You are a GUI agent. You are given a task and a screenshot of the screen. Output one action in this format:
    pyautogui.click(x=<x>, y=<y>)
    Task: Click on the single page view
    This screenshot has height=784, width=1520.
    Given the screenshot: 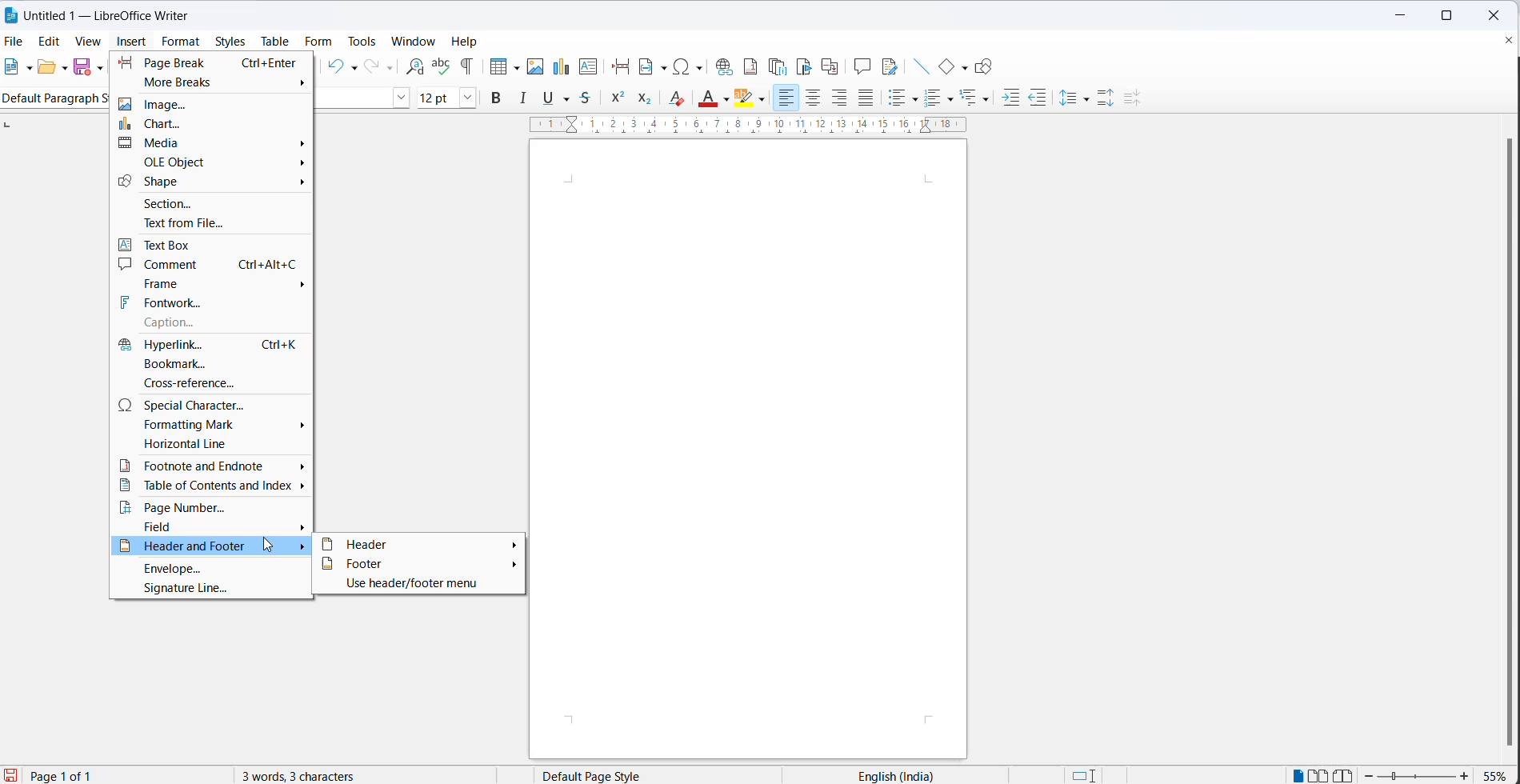 What is the action you would take?
    pyautogui.click(x=1294, y=775)
    